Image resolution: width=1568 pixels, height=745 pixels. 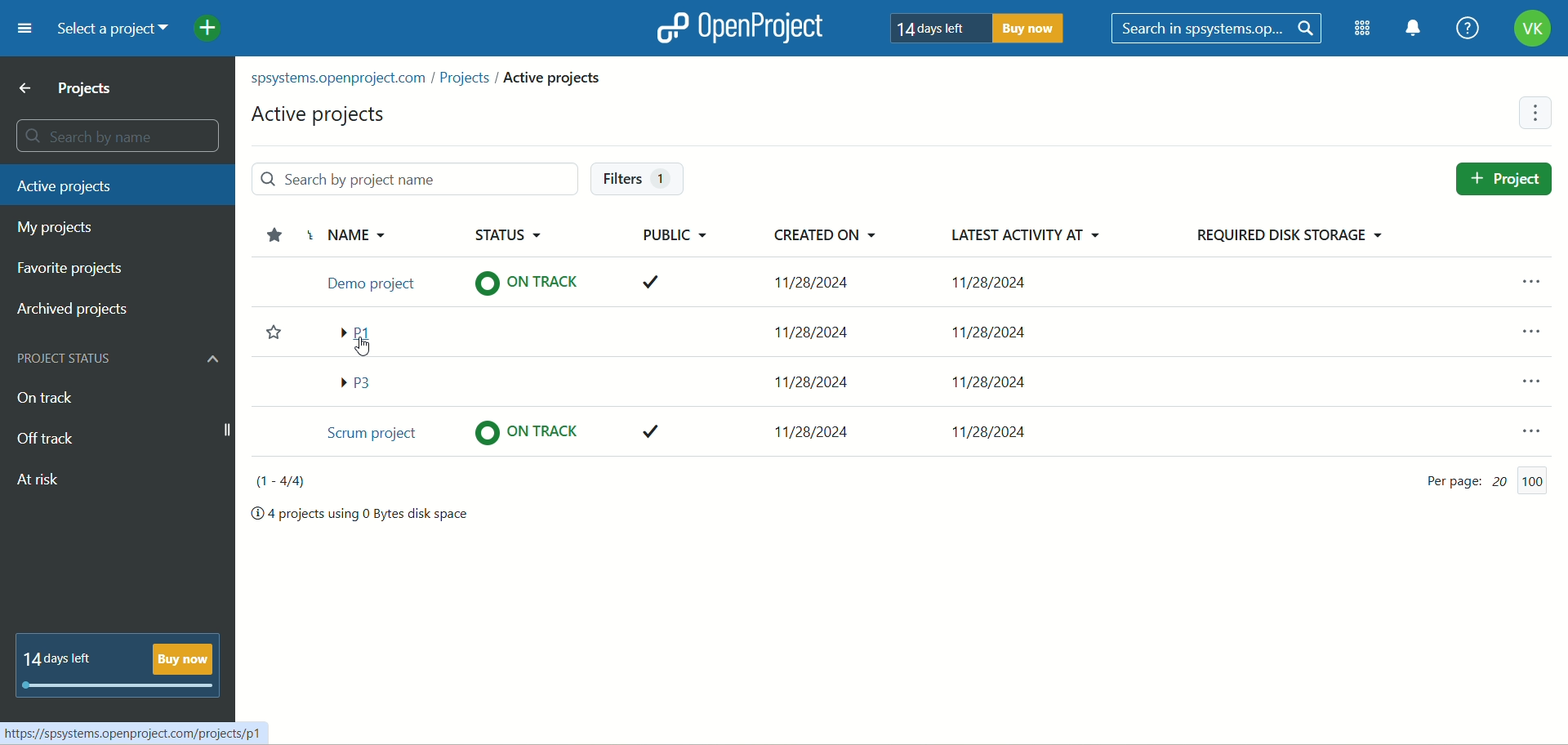 What do you see at coordinates (738, 27) in the screenshot?
I see `openproject` at bounding box center [738, 27].